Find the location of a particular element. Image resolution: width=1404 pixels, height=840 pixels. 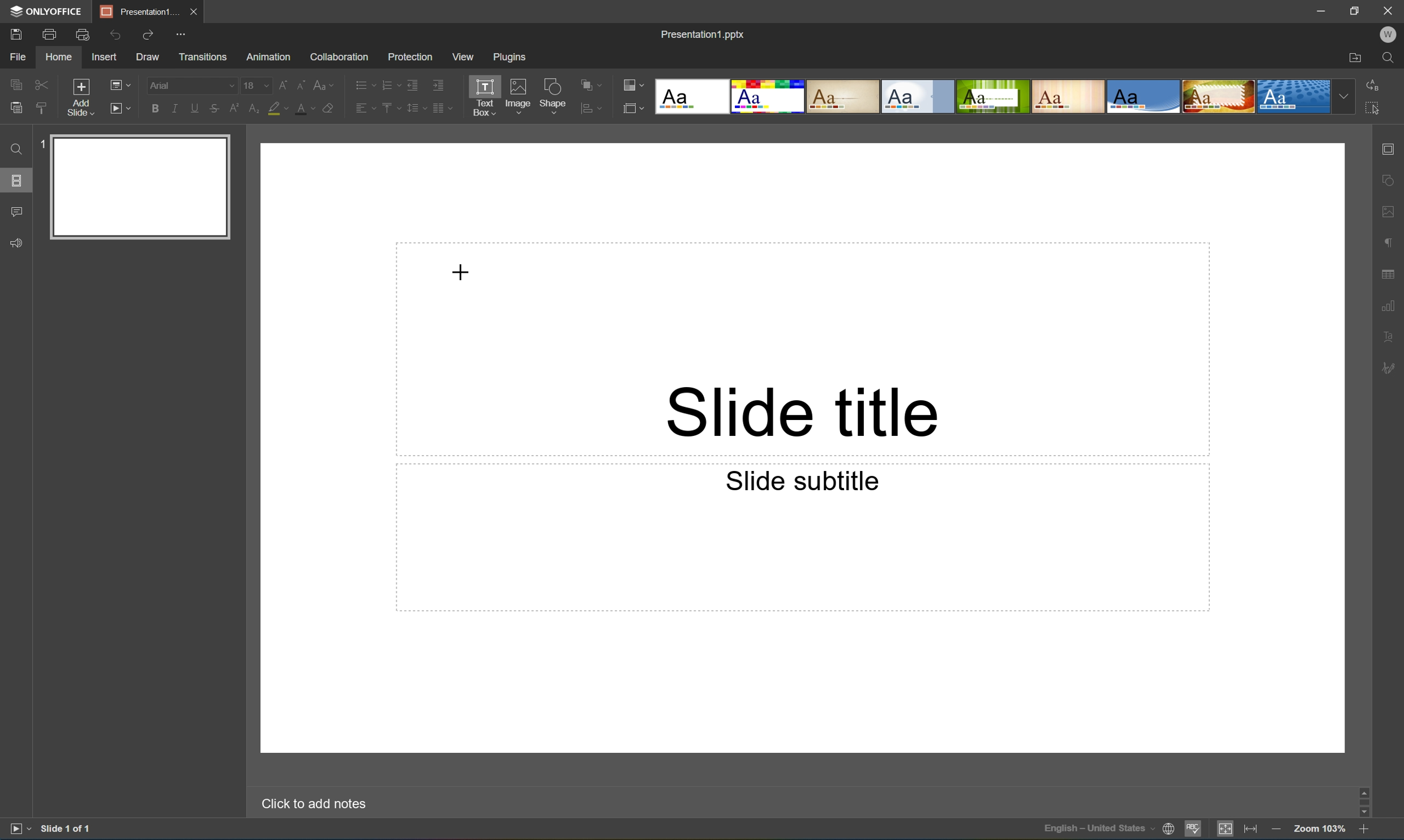

1 is located at coordinates (45, 142).